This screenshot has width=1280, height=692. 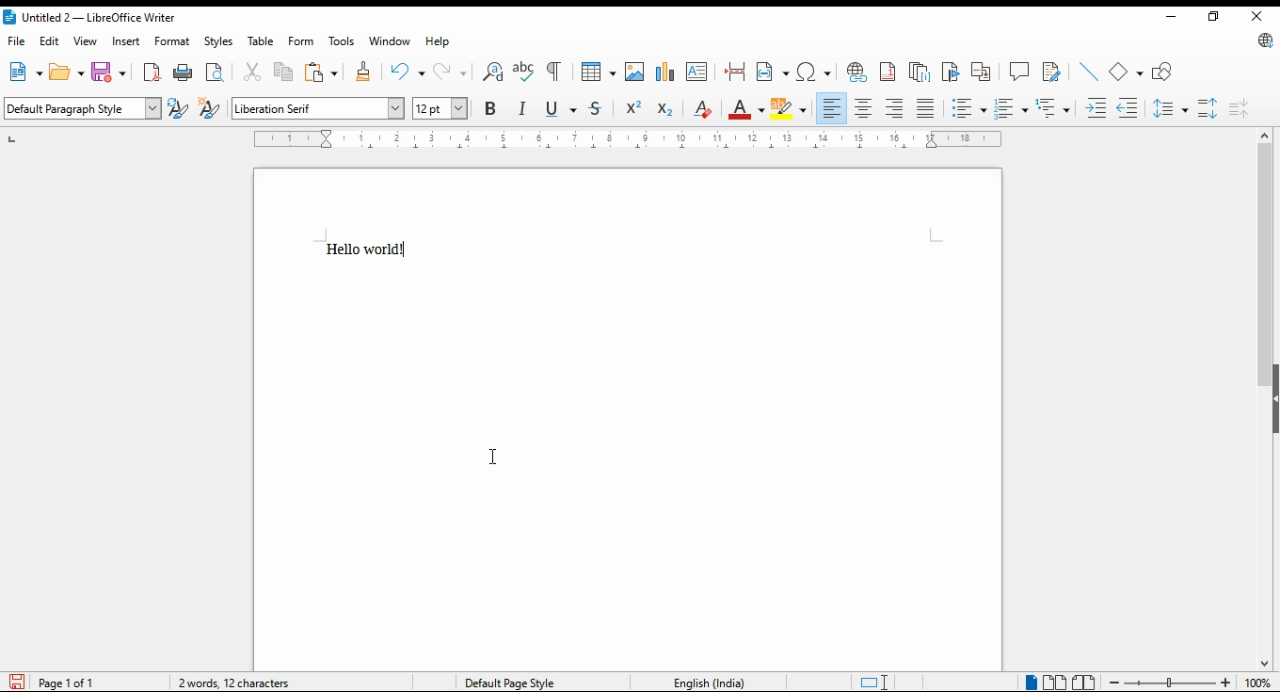 I want to click on update selected style, so click(x=177, y=108).